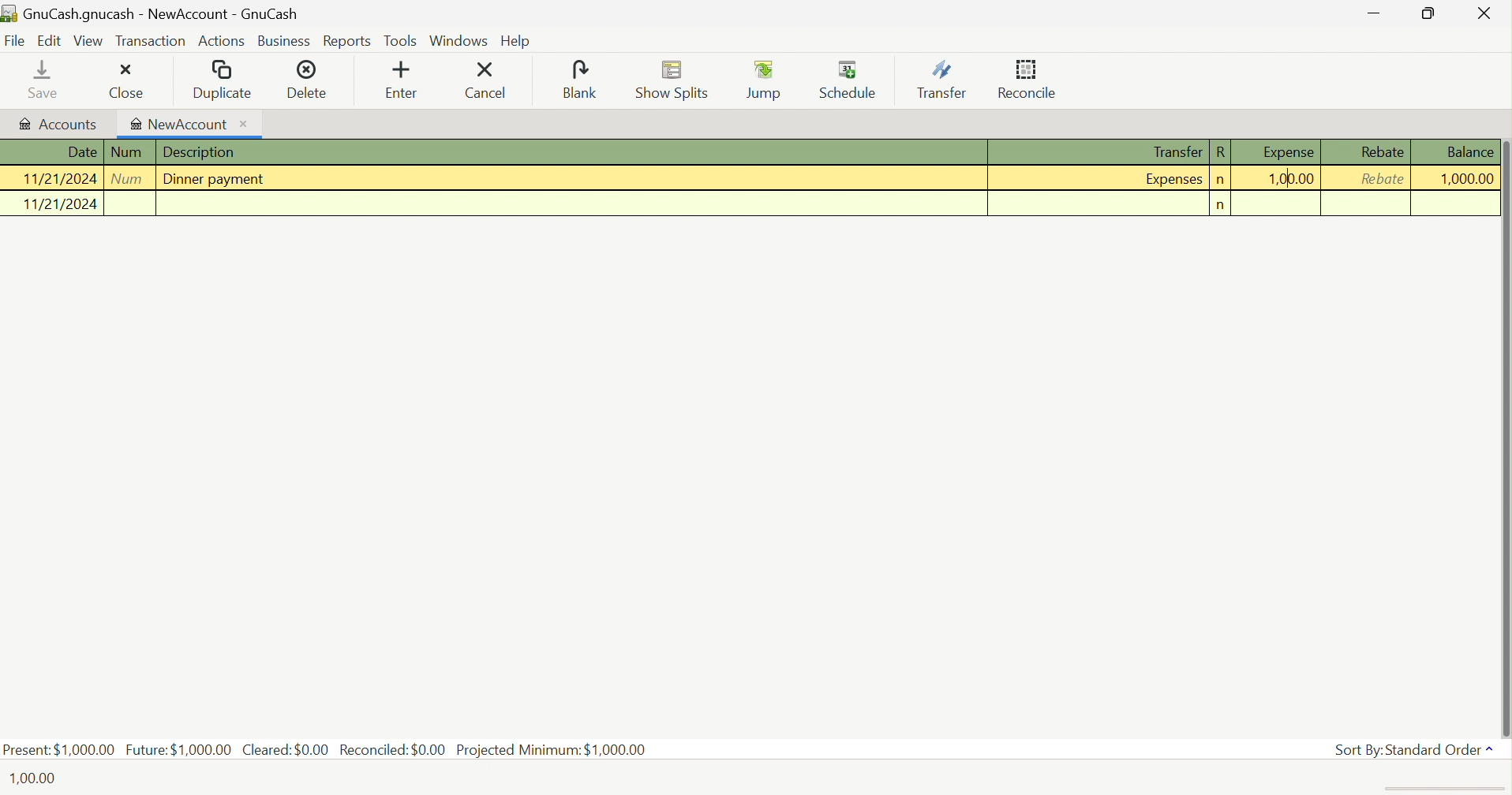 The height and width of the screenshot is (795, 1512). What do you see at coordinates (222, 79) in the screenshot?
I see `Duplicate` at bounding box center [222, 79].